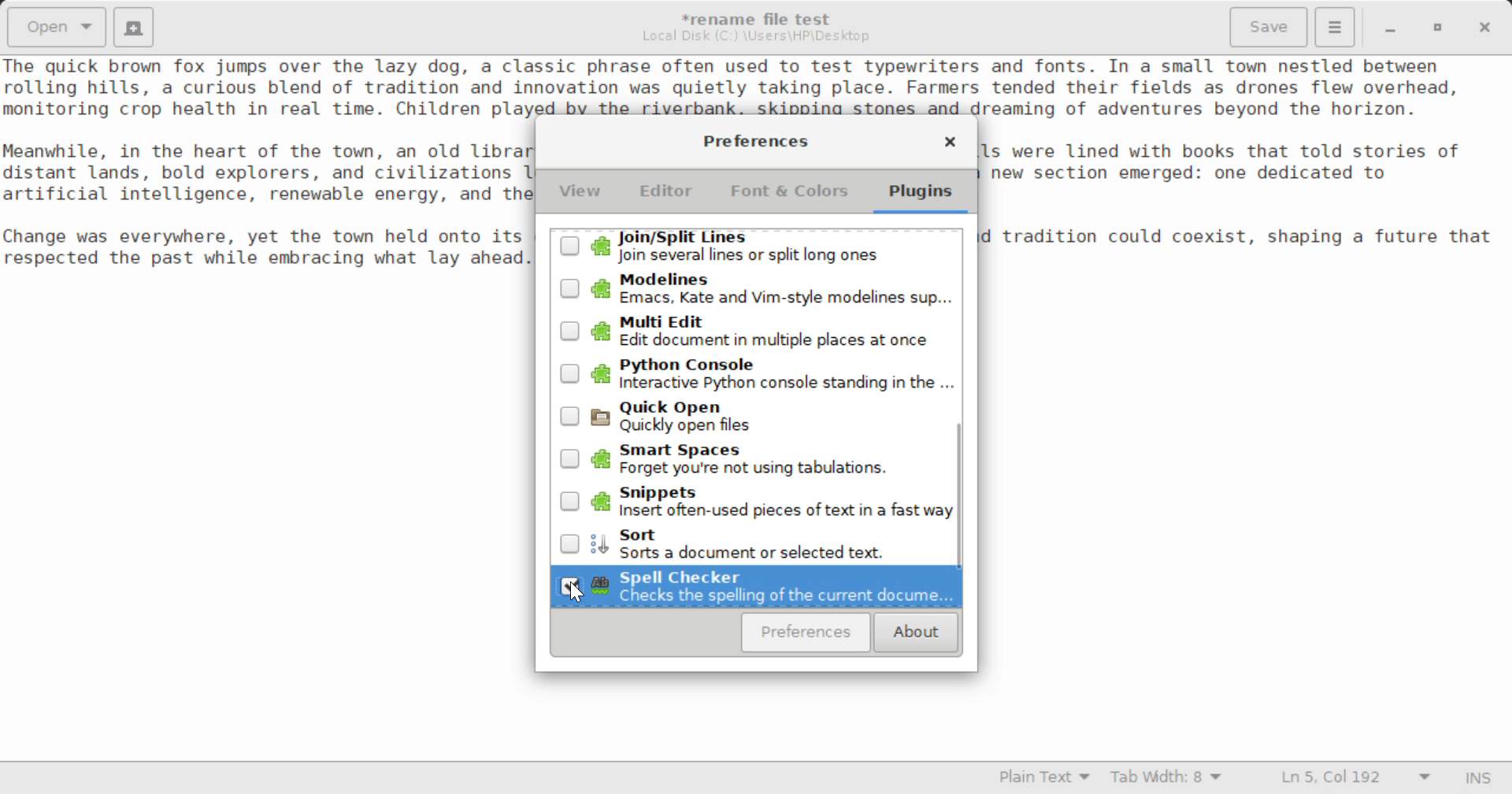 The width and height of the screenshot is (1512, 794). I want to click on Quickly Open Plugin Button Unselected, so click(756, 416).